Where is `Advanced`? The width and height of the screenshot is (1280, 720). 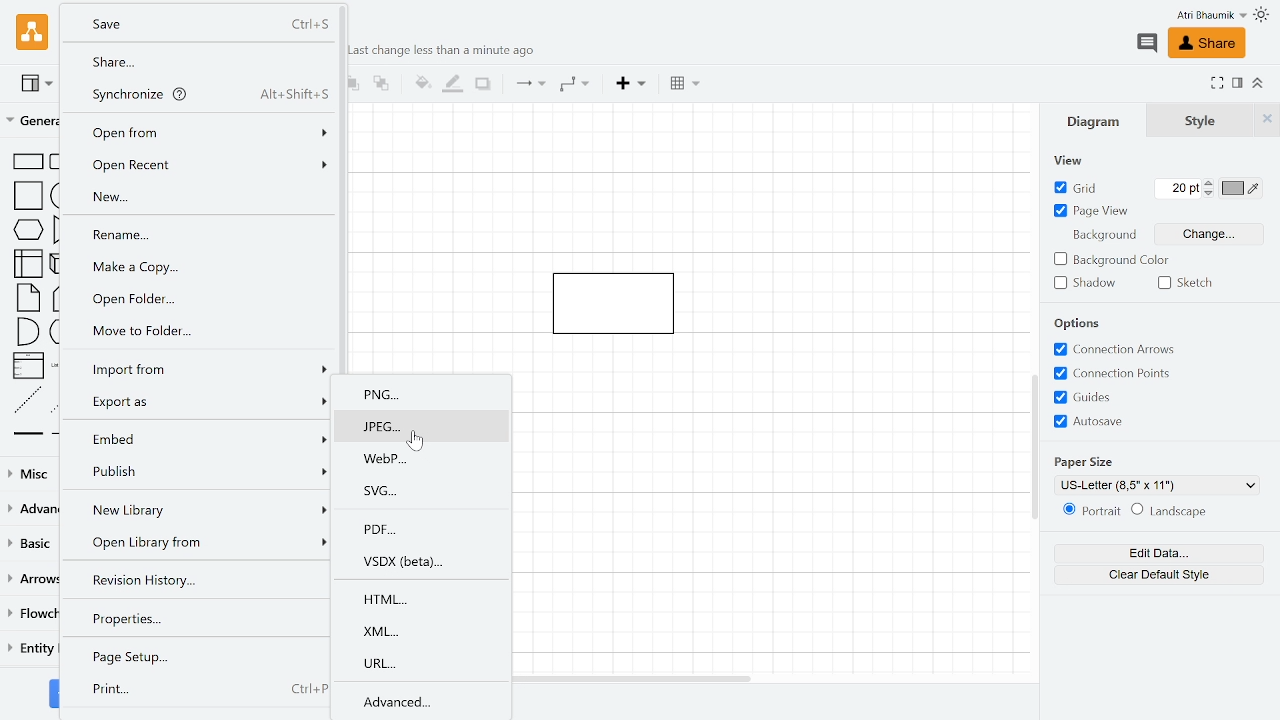 Advanced is located at coordinates (30, 510).